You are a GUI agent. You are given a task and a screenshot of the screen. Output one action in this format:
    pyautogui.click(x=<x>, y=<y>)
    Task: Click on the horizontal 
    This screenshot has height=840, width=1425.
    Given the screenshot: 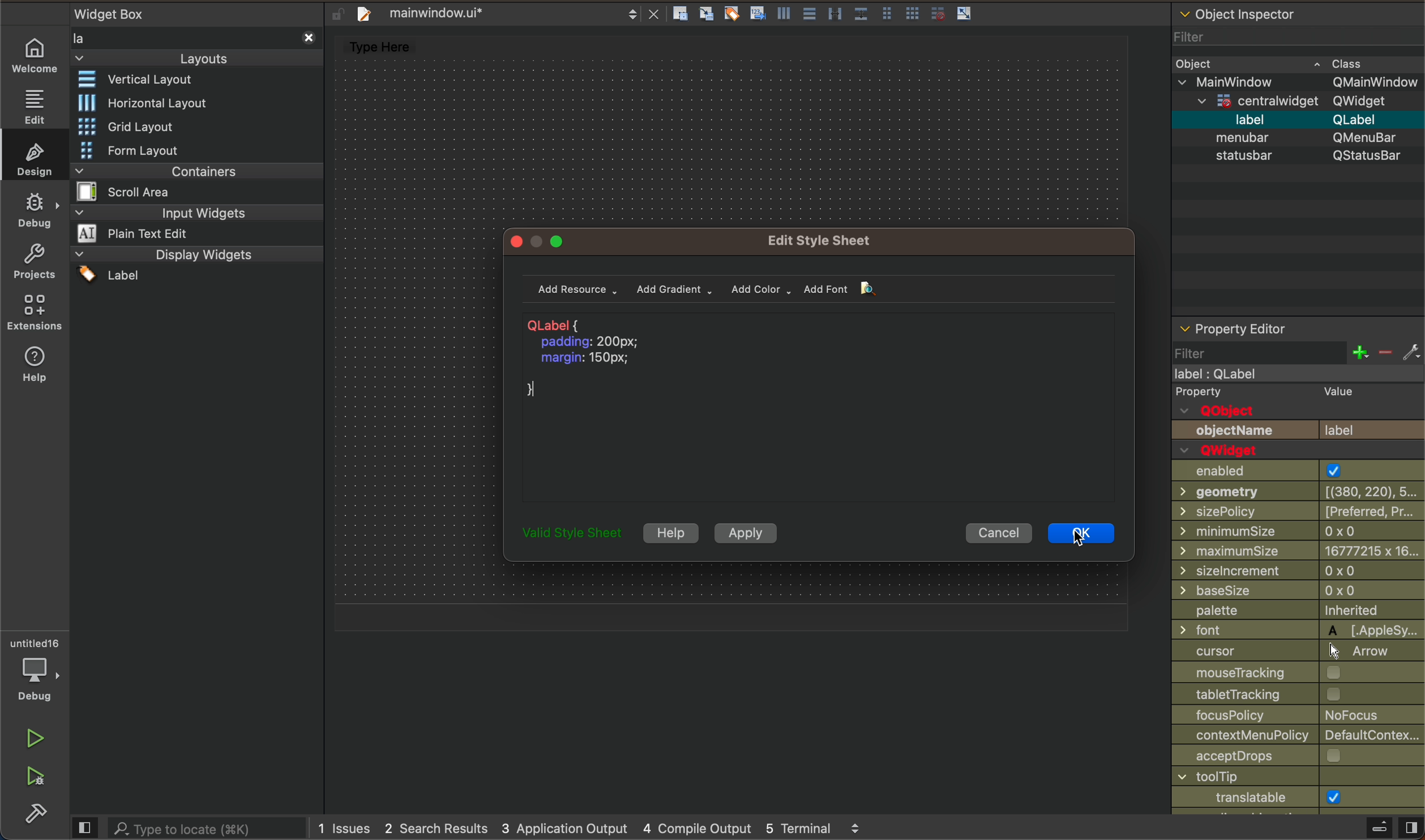 What is the action you would take?
    pyautogui.click(x=143, y=102)
    